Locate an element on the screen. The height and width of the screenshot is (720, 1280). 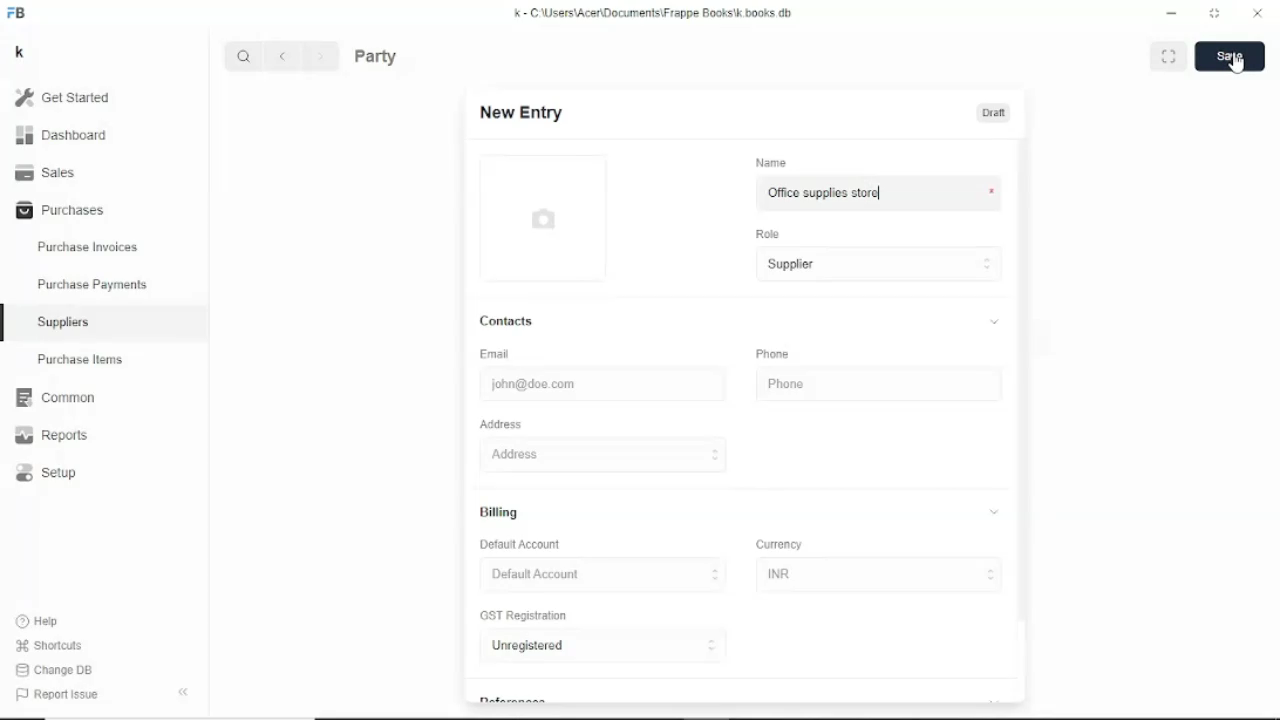
Party is located at coordinates (376, 56).